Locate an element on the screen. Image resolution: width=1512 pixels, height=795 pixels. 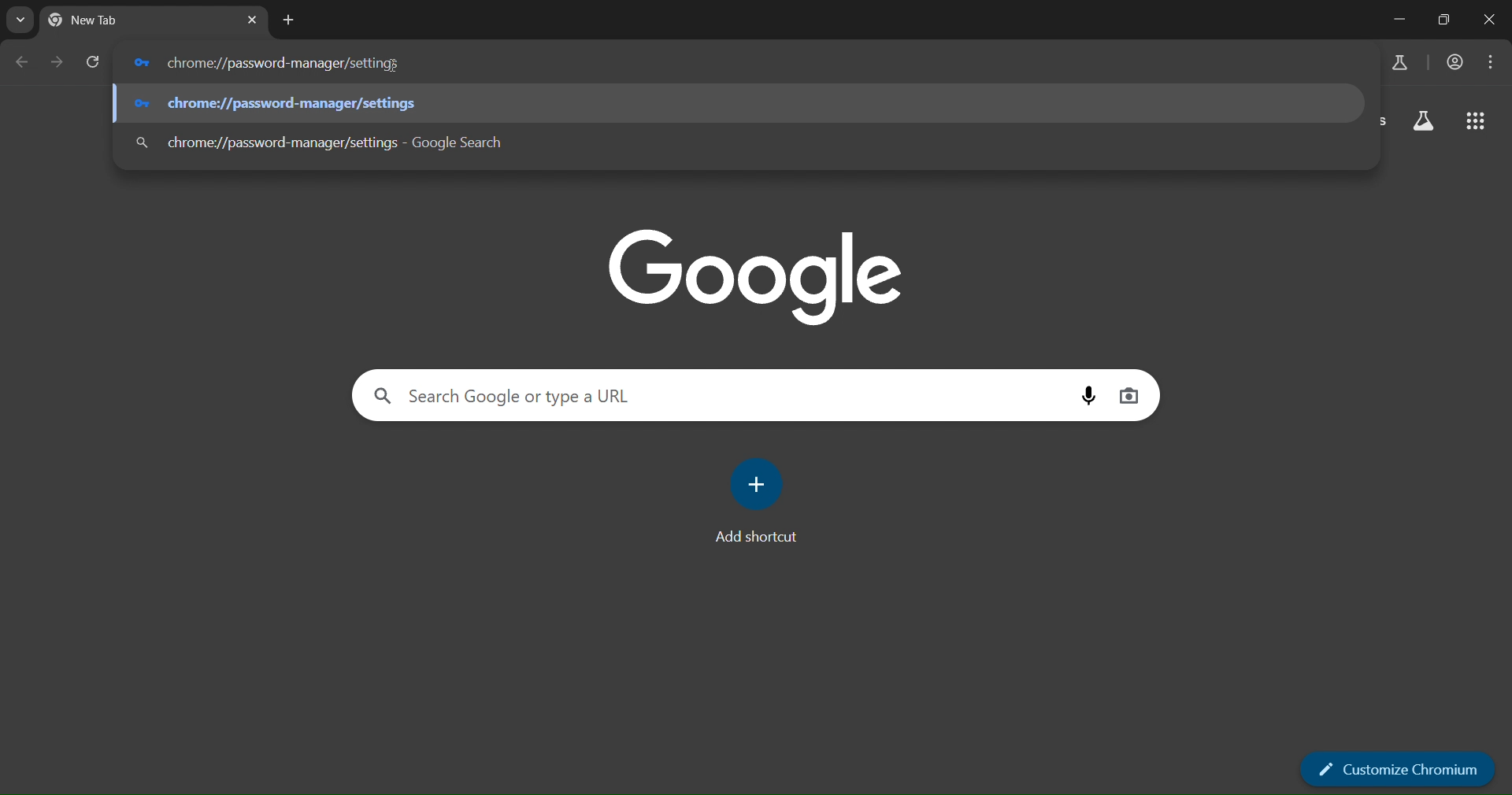
close tab is located at coordinates (254, 20).